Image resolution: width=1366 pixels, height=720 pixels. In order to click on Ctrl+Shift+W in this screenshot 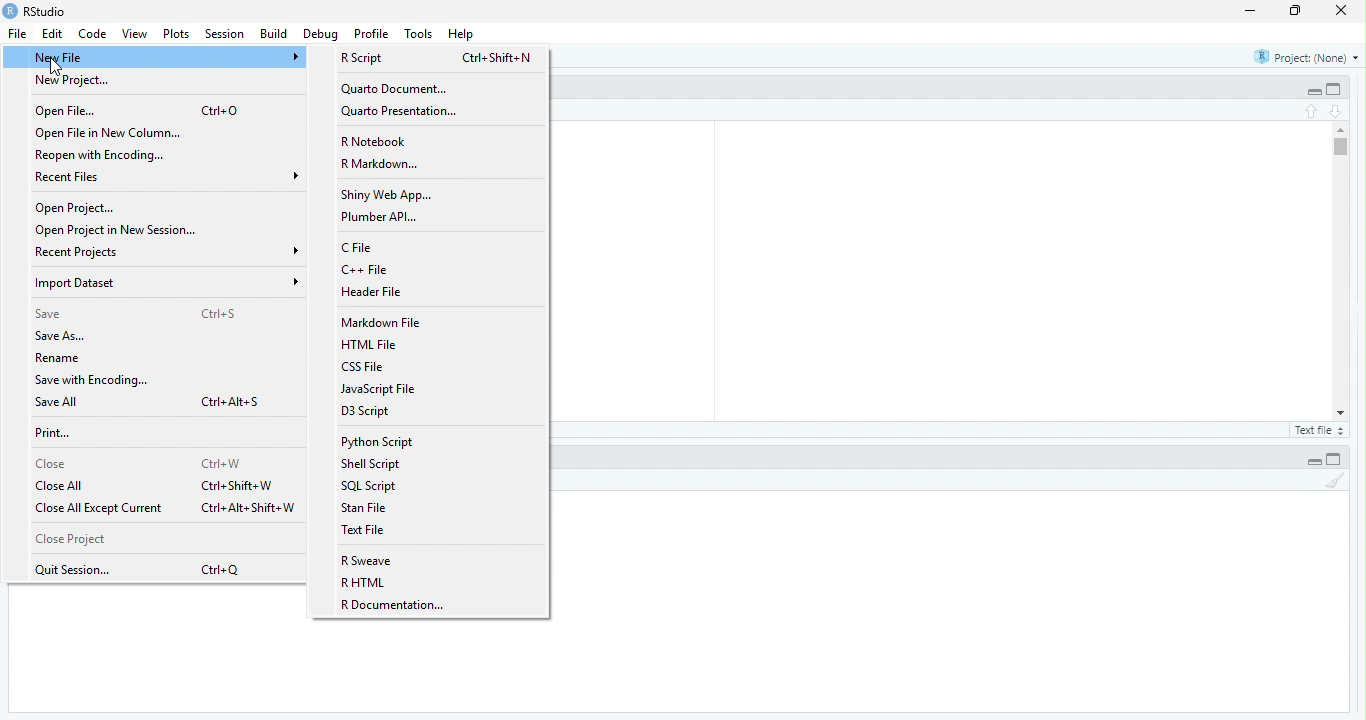, I will do `click(240, 485)`.